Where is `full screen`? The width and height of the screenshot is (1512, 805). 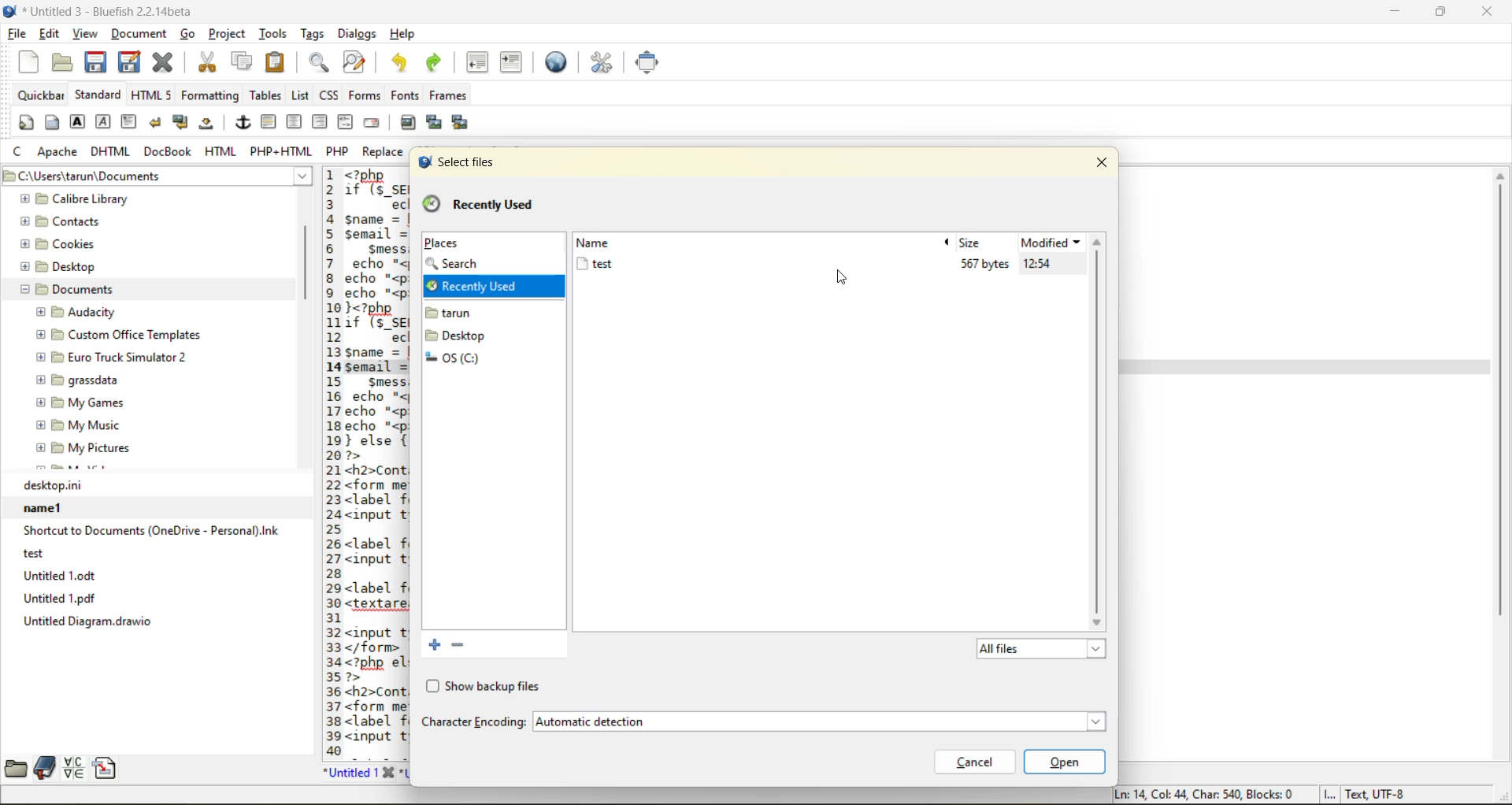
full screen is located at coordinates (649, 62).